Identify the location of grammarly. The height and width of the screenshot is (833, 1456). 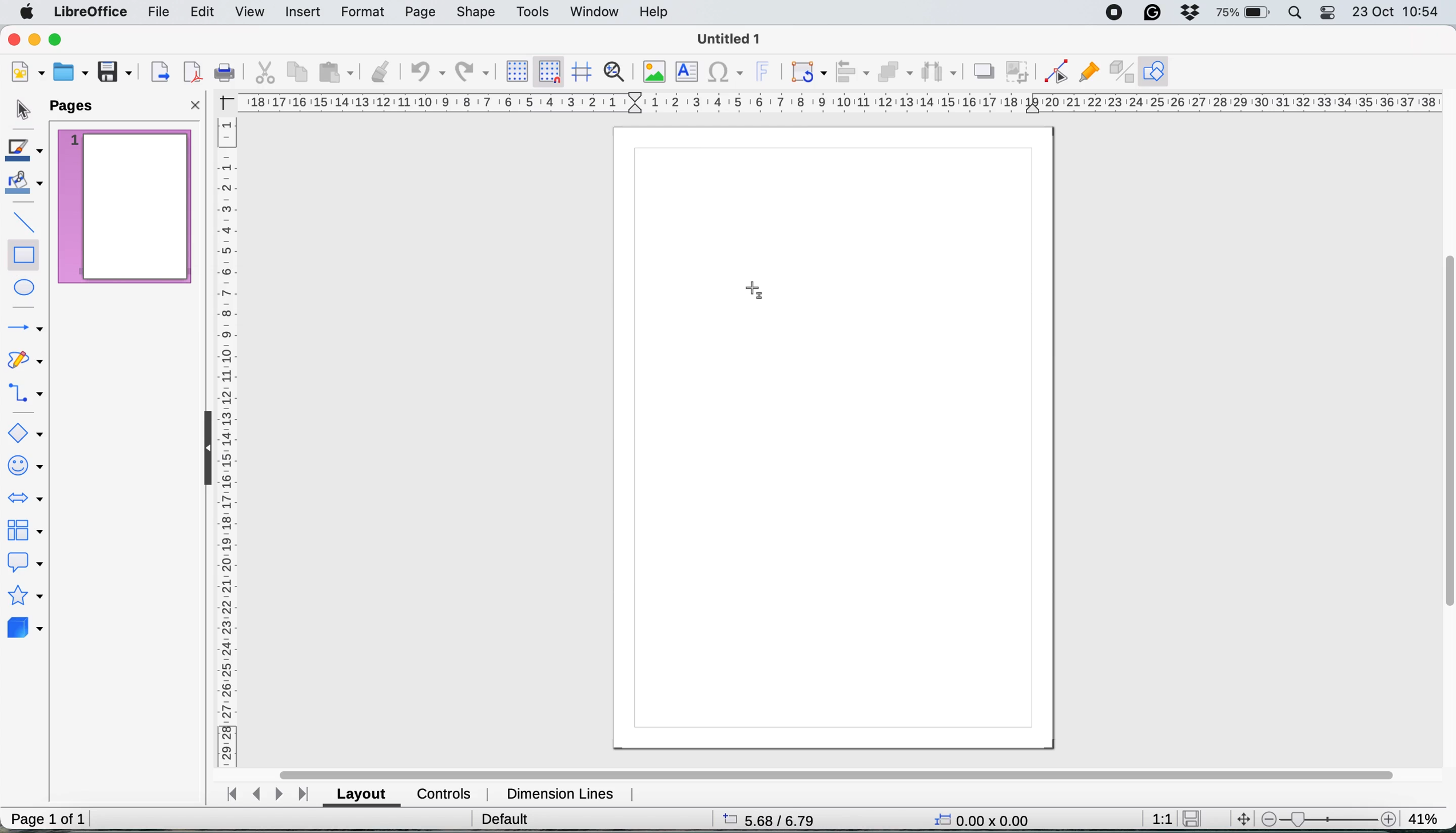
(1152, 12).